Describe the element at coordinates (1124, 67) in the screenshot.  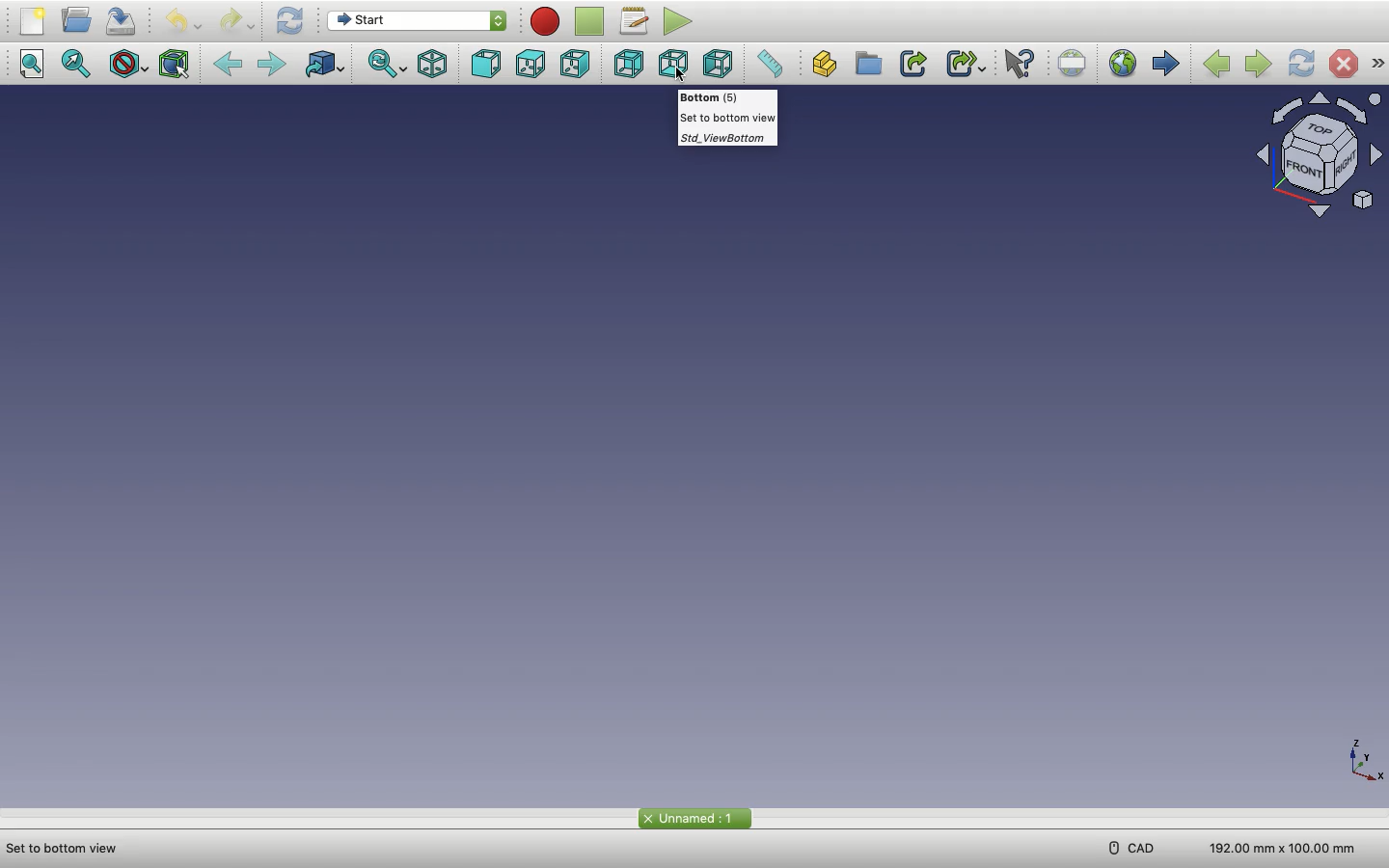
I see `Open website` at that location.